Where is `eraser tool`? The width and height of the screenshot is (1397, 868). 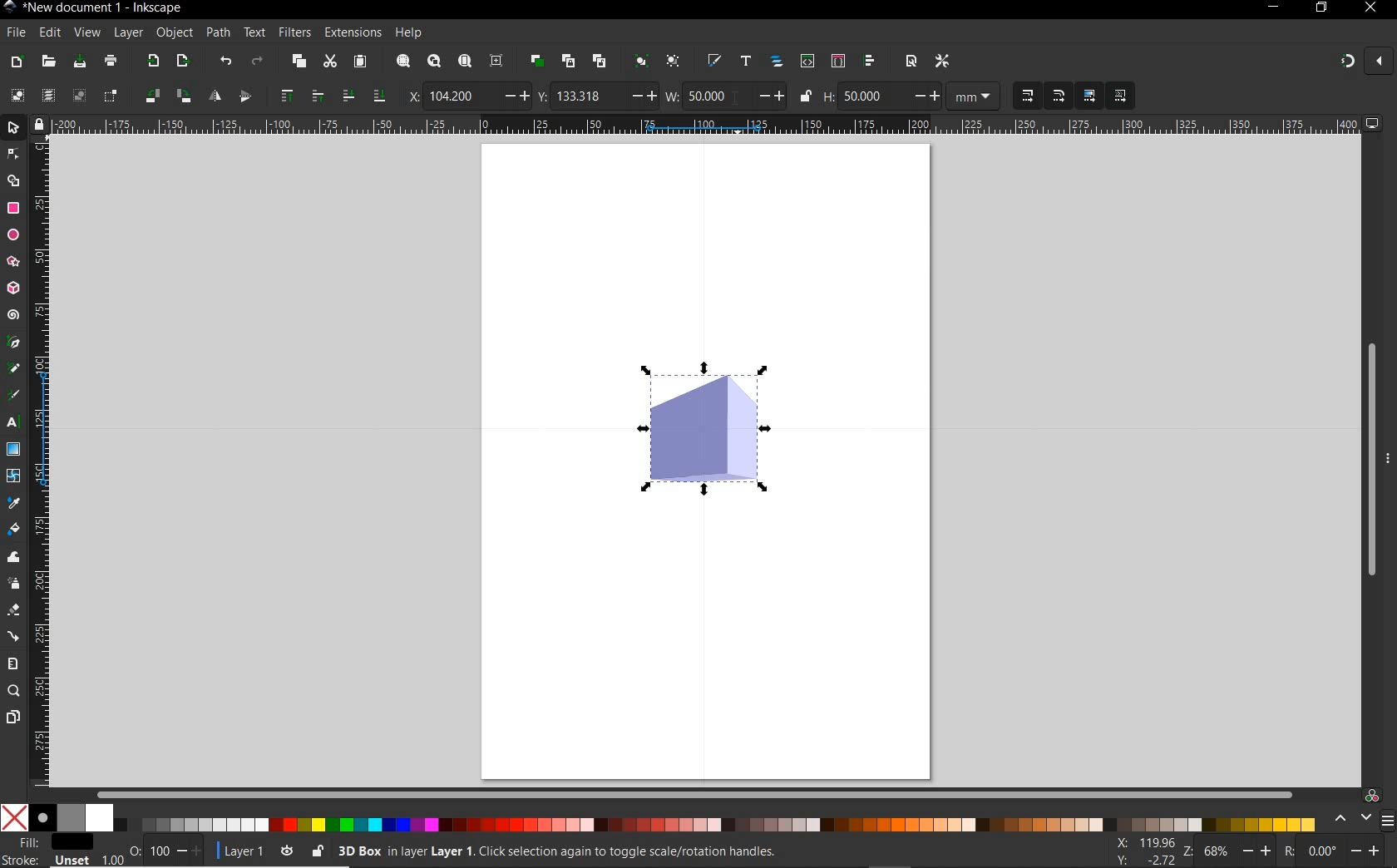
eraser tool is located at coordinates (14, 610).